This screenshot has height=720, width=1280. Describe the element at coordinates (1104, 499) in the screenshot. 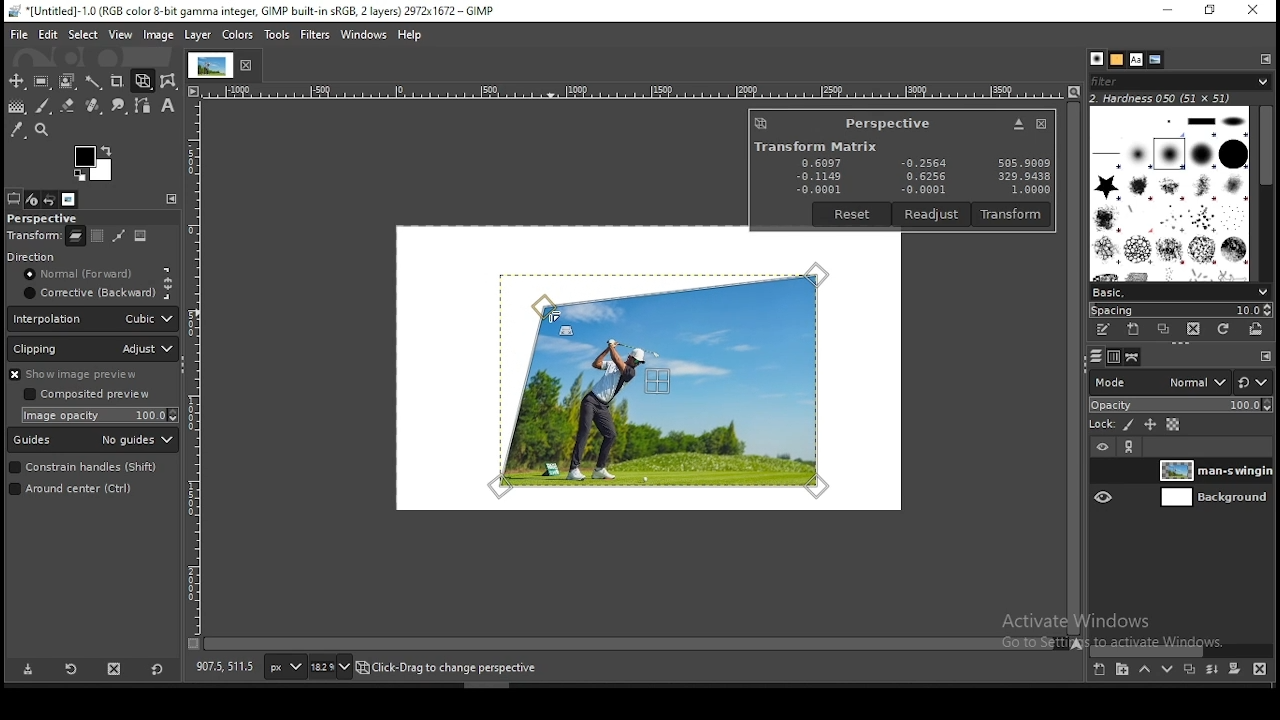

I see `layer visibility on/off` at that location.